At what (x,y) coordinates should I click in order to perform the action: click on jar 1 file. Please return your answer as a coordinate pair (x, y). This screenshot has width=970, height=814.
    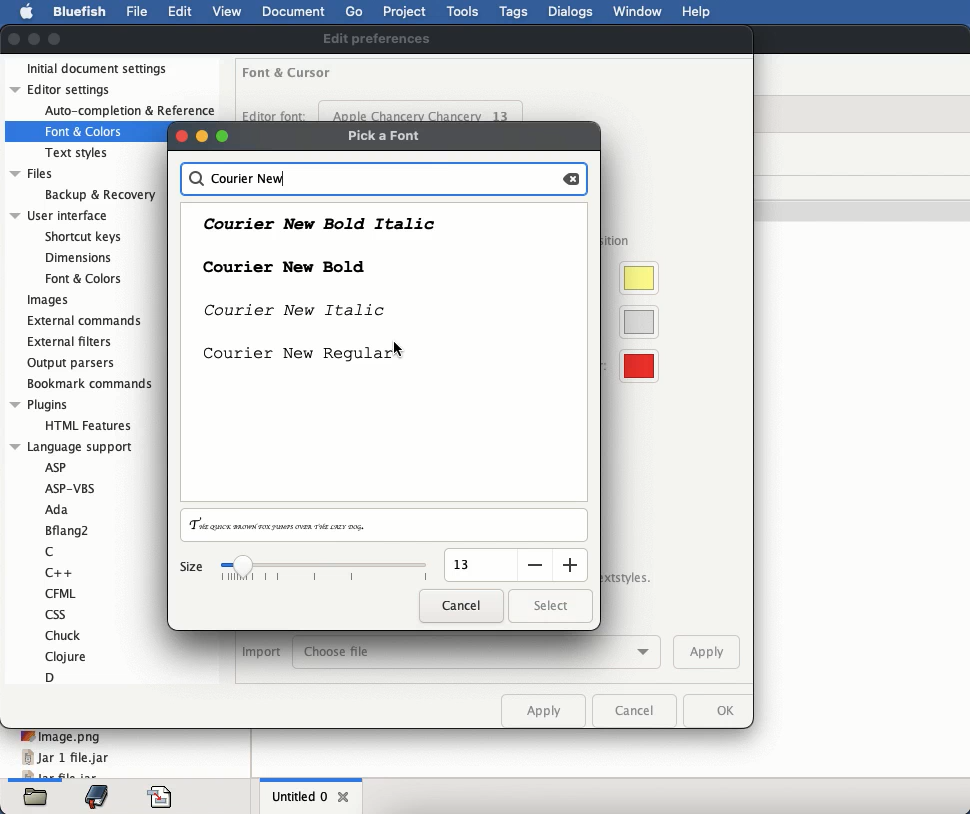
    Looking at the image, I should click on (65, 758).